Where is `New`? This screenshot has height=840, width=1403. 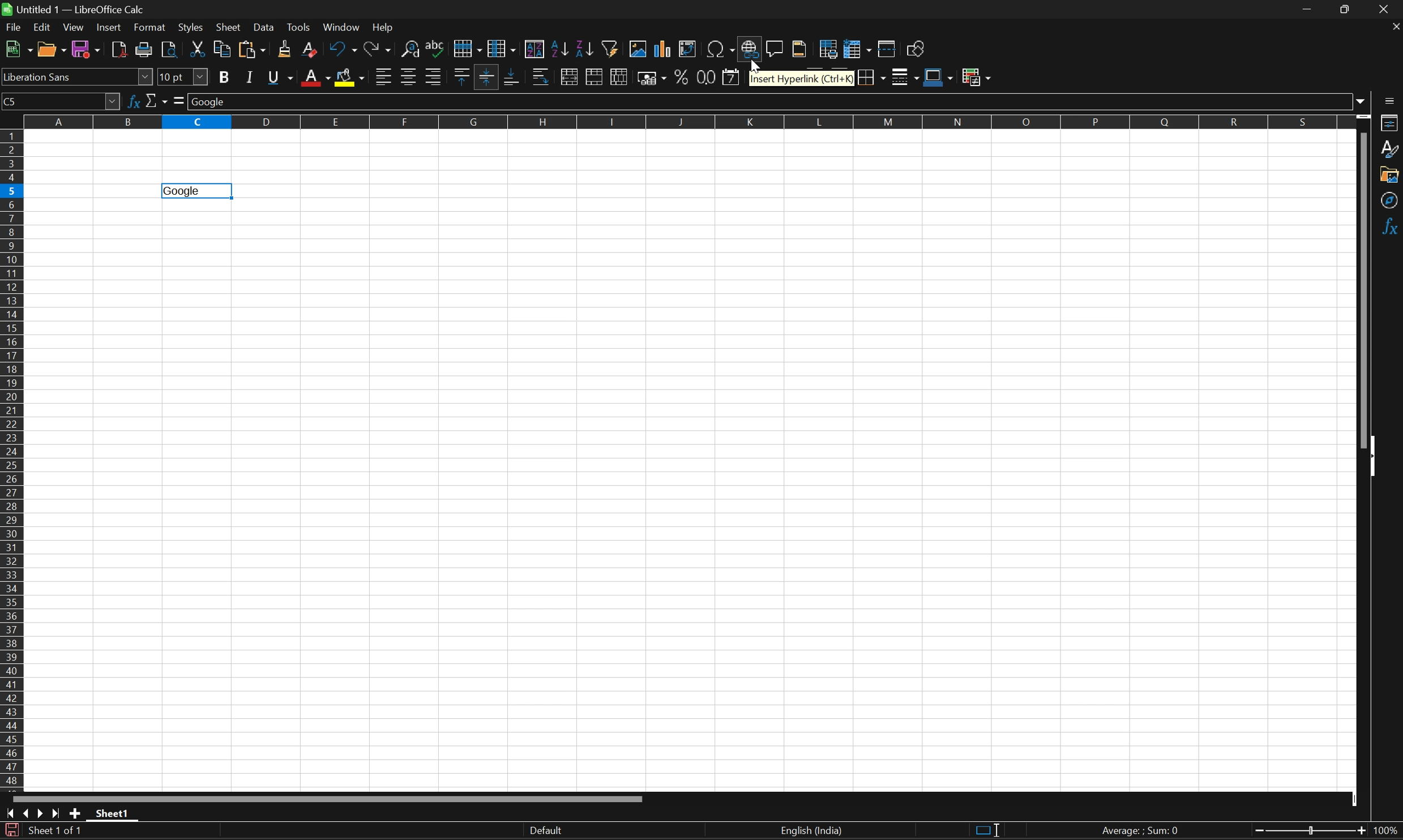
New is located at coordinates (18, 49).